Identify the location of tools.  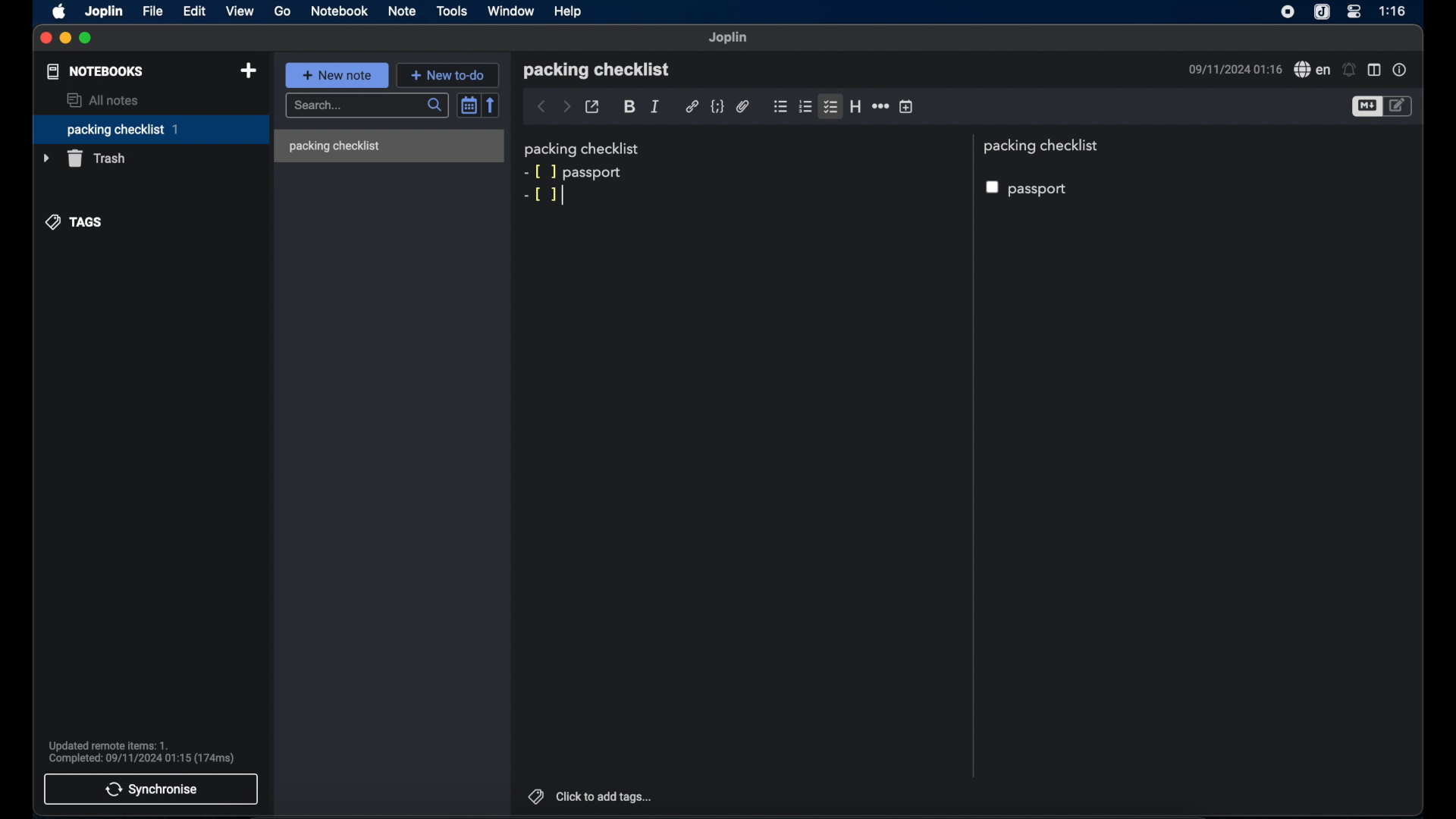
(453, 11).